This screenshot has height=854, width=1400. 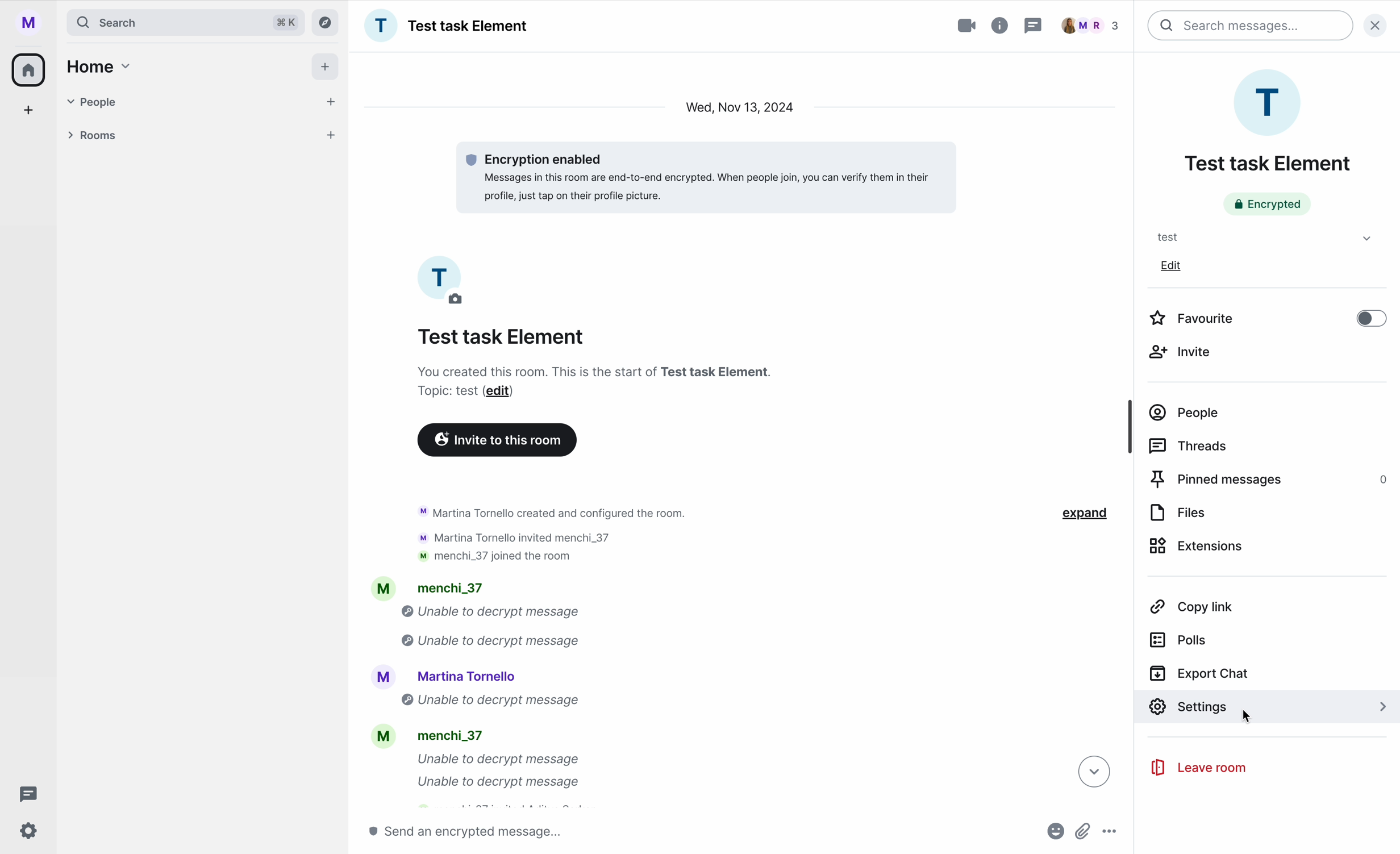 I want to click on cursor, so click(x=1247, y=715).